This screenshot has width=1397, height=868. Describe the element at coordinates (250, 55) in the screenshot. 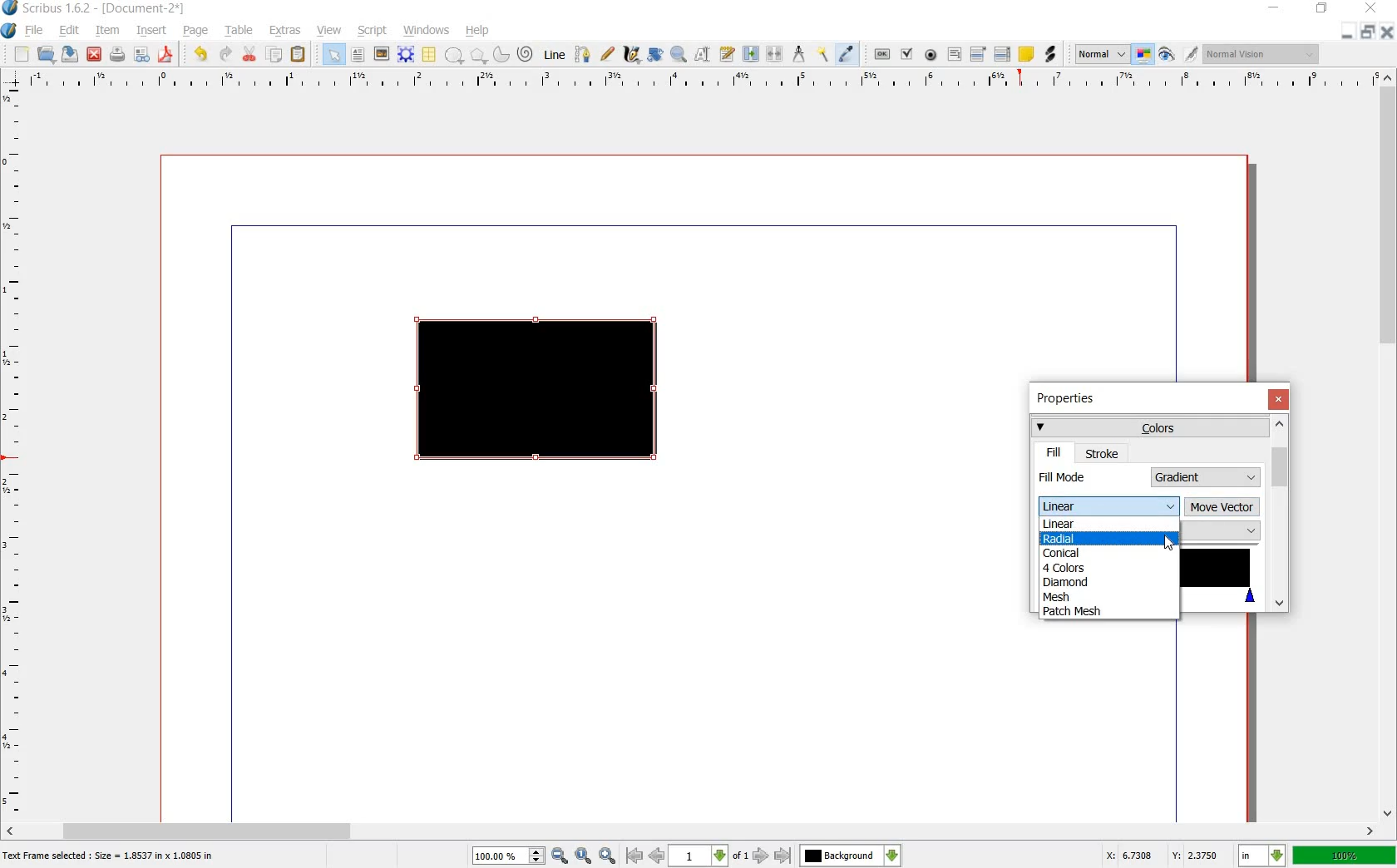

I see `cut` at that location.